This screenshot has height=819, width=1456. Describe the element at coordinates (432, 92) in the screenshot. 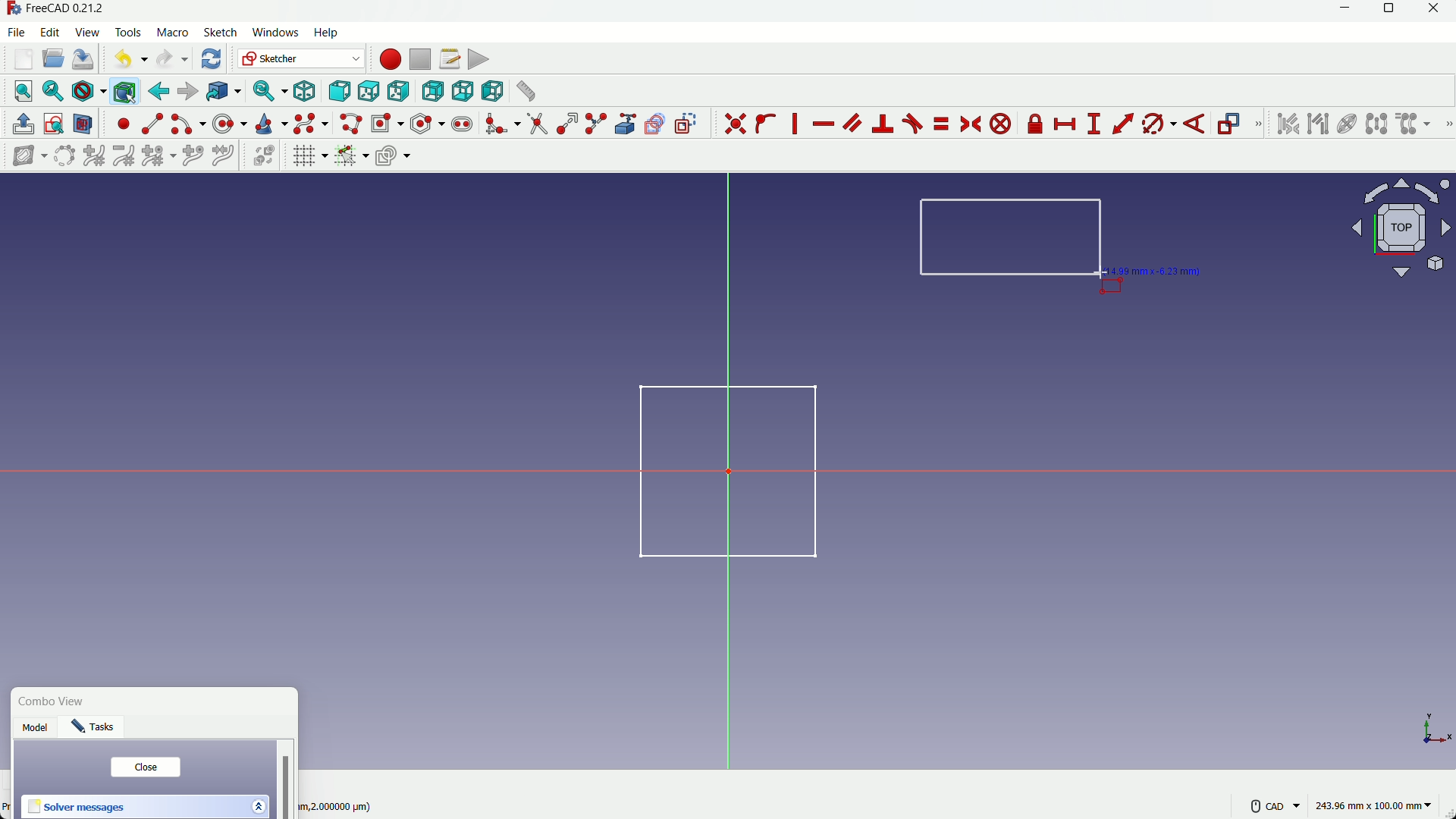

I see `back view` at that location.